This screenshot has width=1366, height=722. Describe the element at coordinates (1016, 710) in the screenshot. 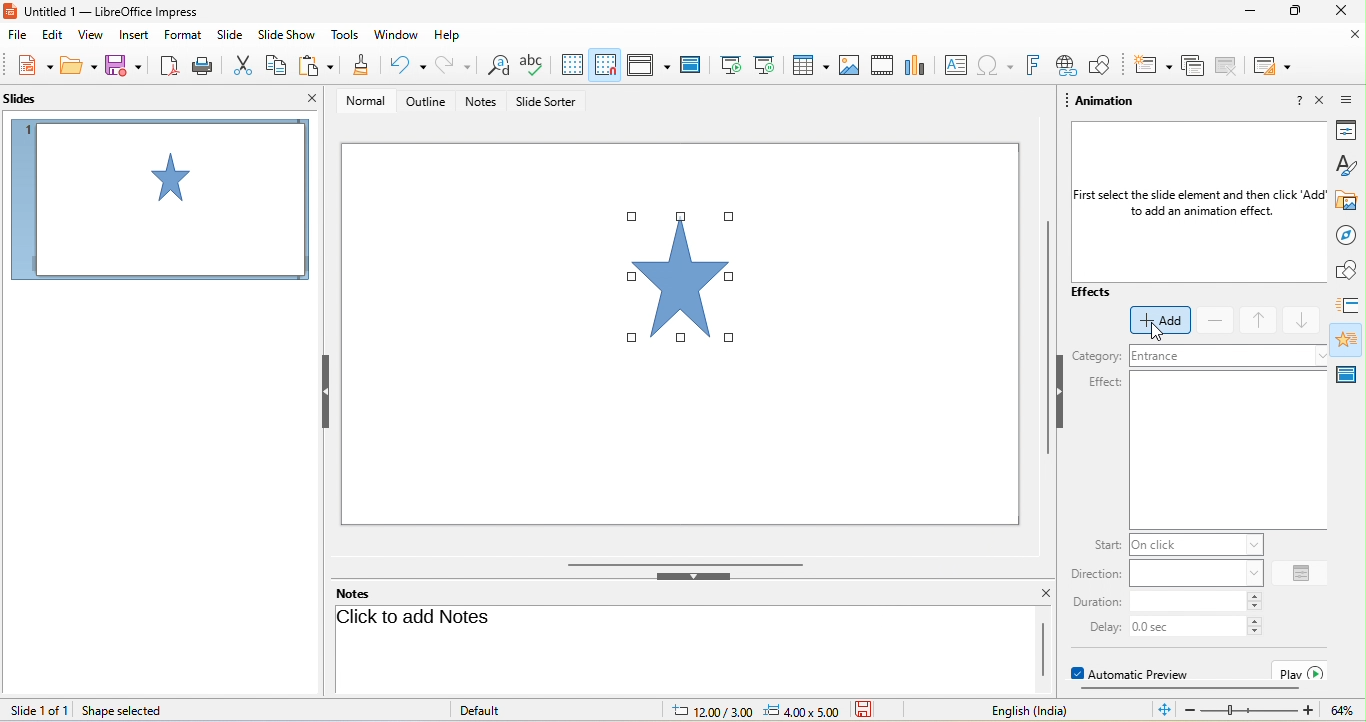

I see `text language` at that location.